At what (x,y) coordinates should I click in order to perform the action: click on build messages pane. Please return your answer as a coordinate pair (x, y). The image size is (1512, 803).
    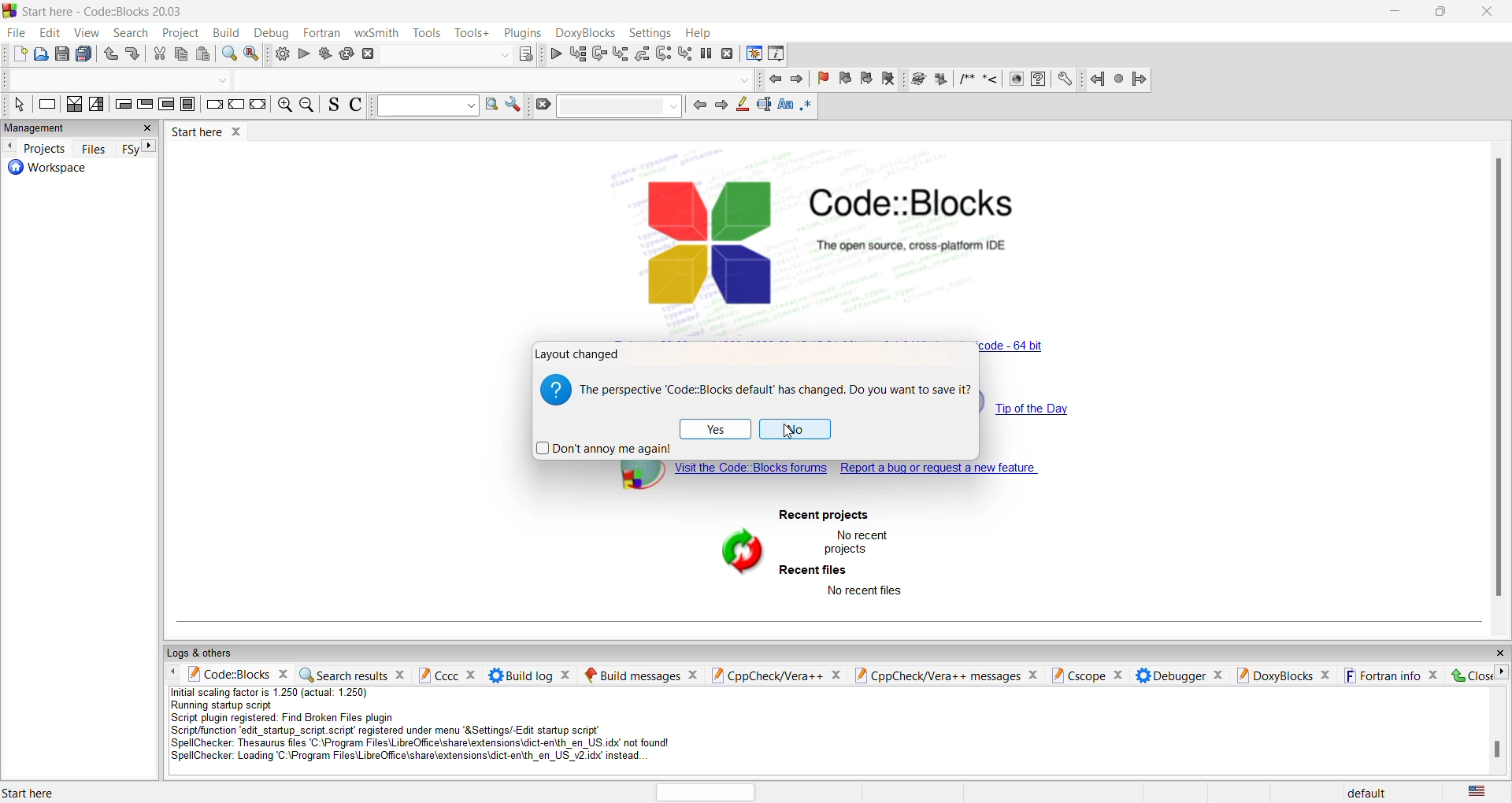
    Looking at the image, I should click on (631, 675).